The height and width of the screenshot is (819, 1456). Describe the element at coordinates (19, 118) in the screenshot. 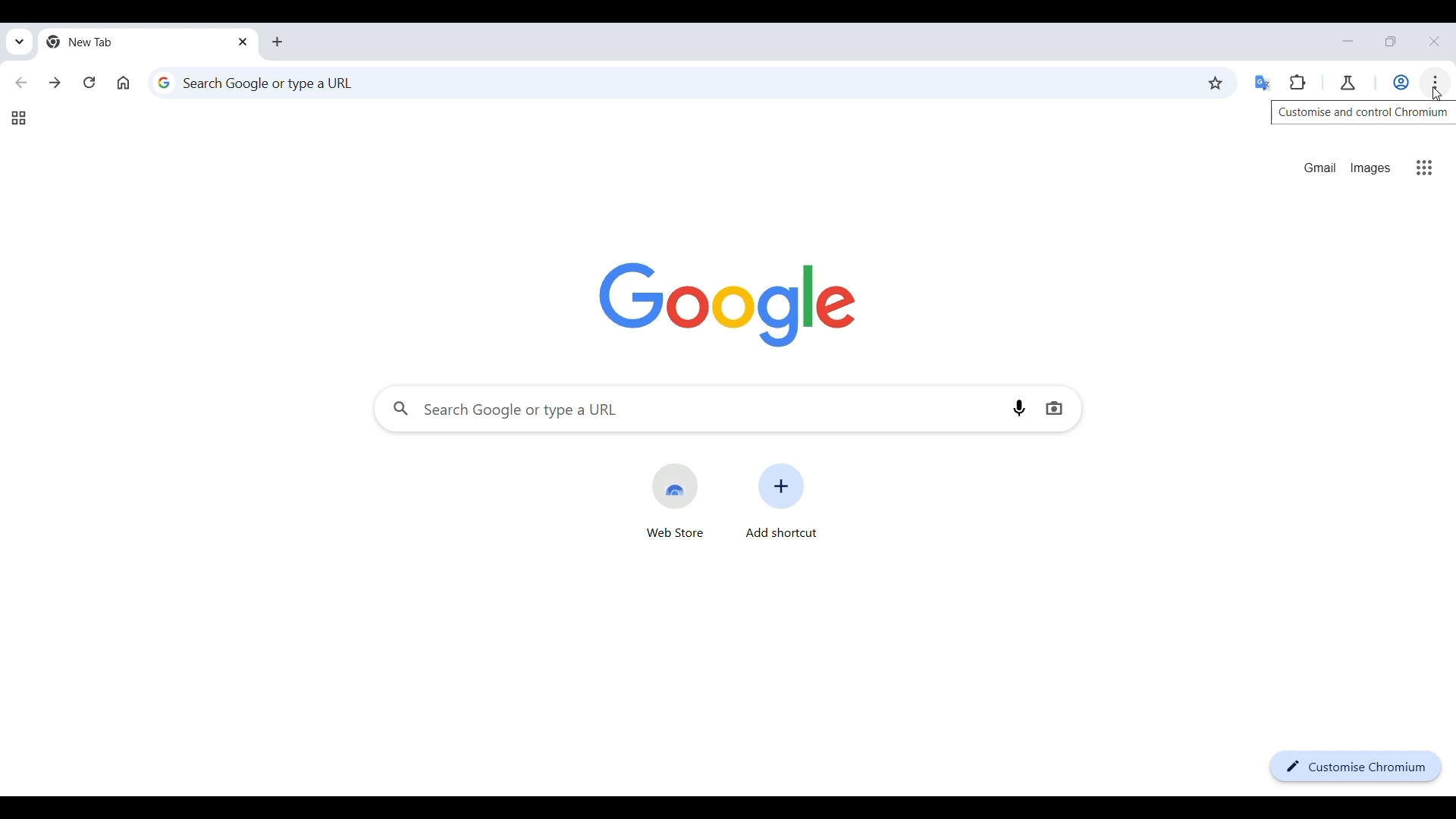

I see `Tab groups ` at that location.